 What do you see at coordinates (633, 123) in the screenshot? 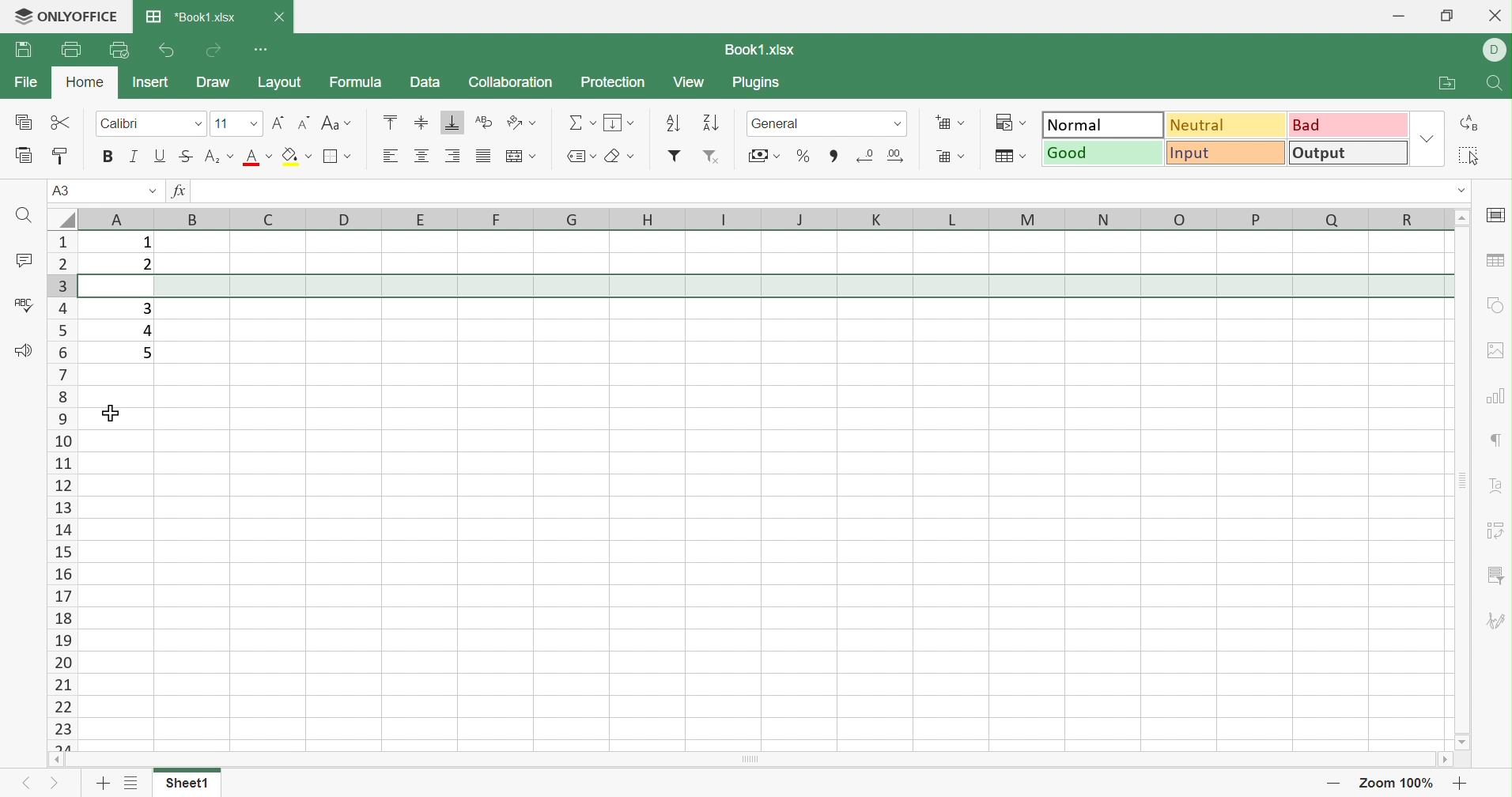
I see `Drop Down` at bounding box center [633, 123].